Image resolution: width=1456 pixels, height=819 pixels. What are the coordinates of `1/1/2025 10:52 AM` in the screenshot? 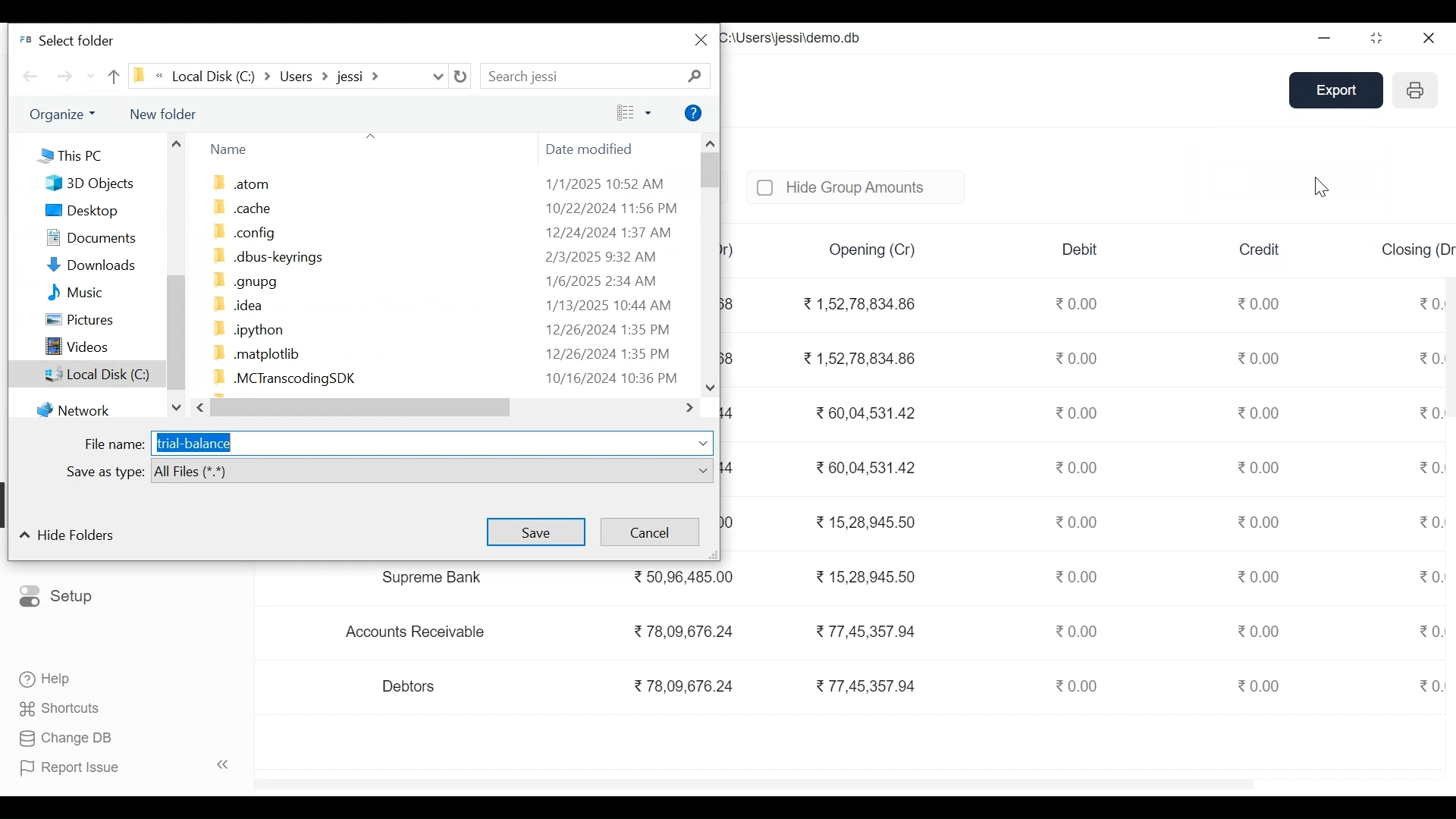 It's located at (606, 183).